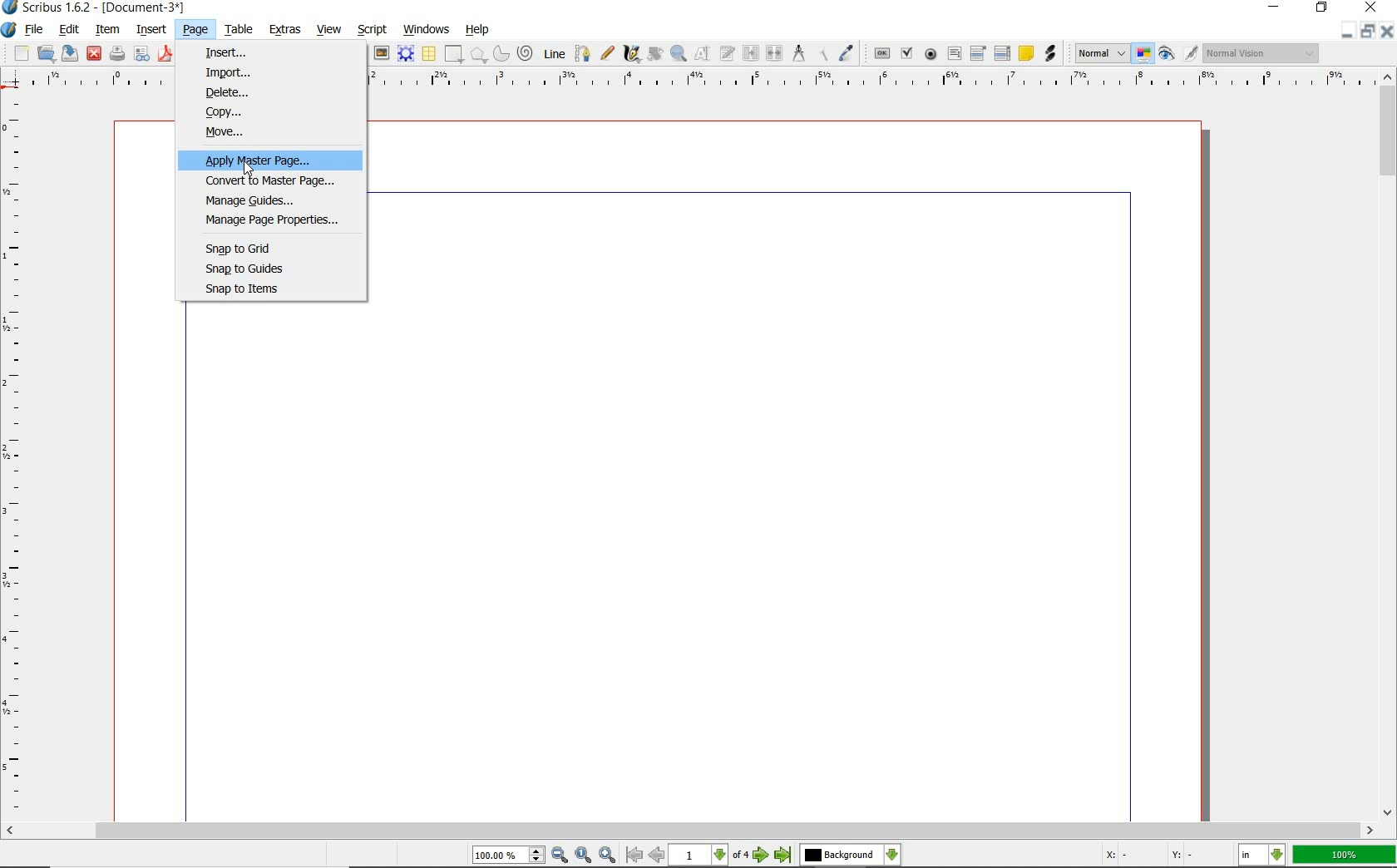 The width and height of the screenshot is (1397, 868). I want to click on copy, so click(277, 112).